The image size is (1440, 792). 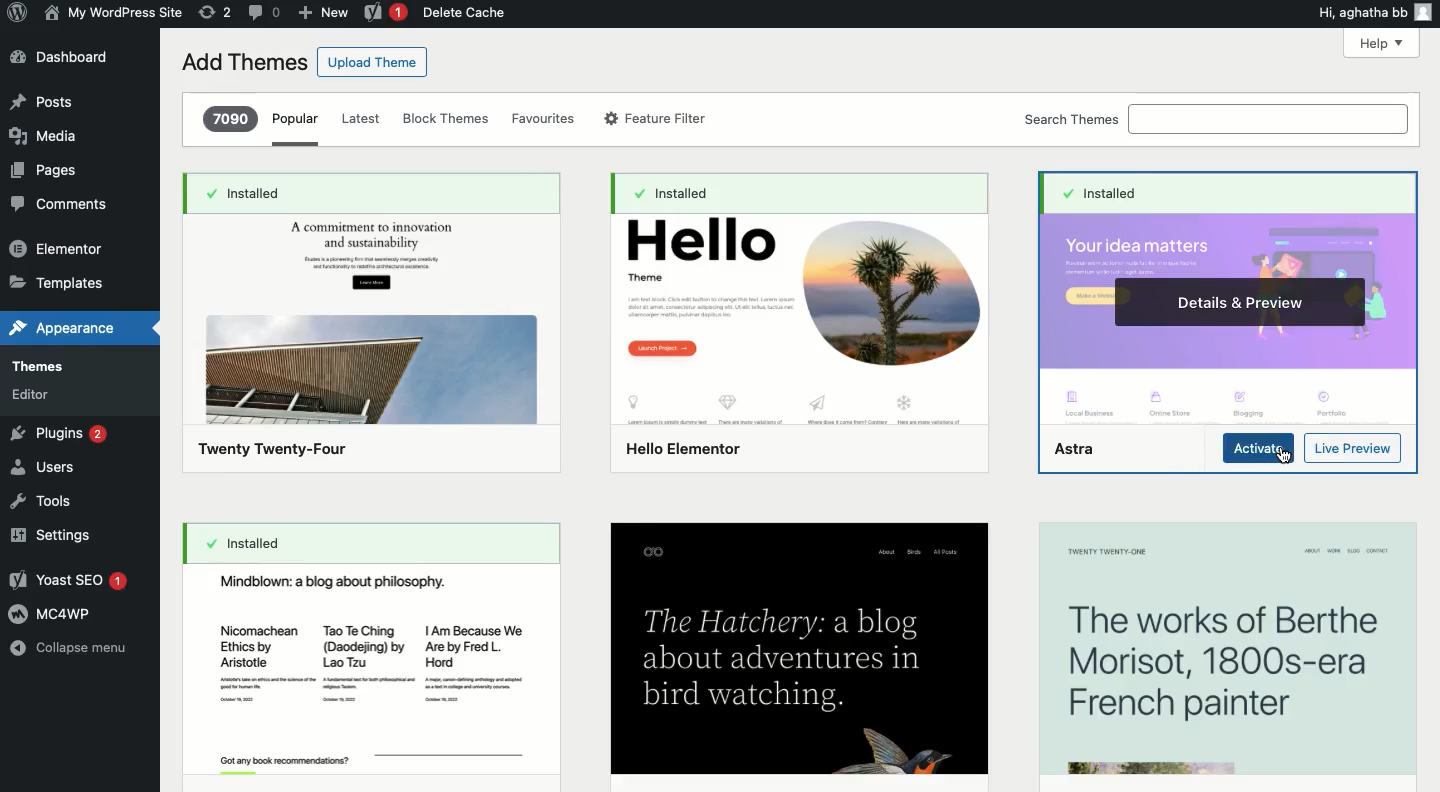 I want to click on Settings, so click(x=51, y=537).